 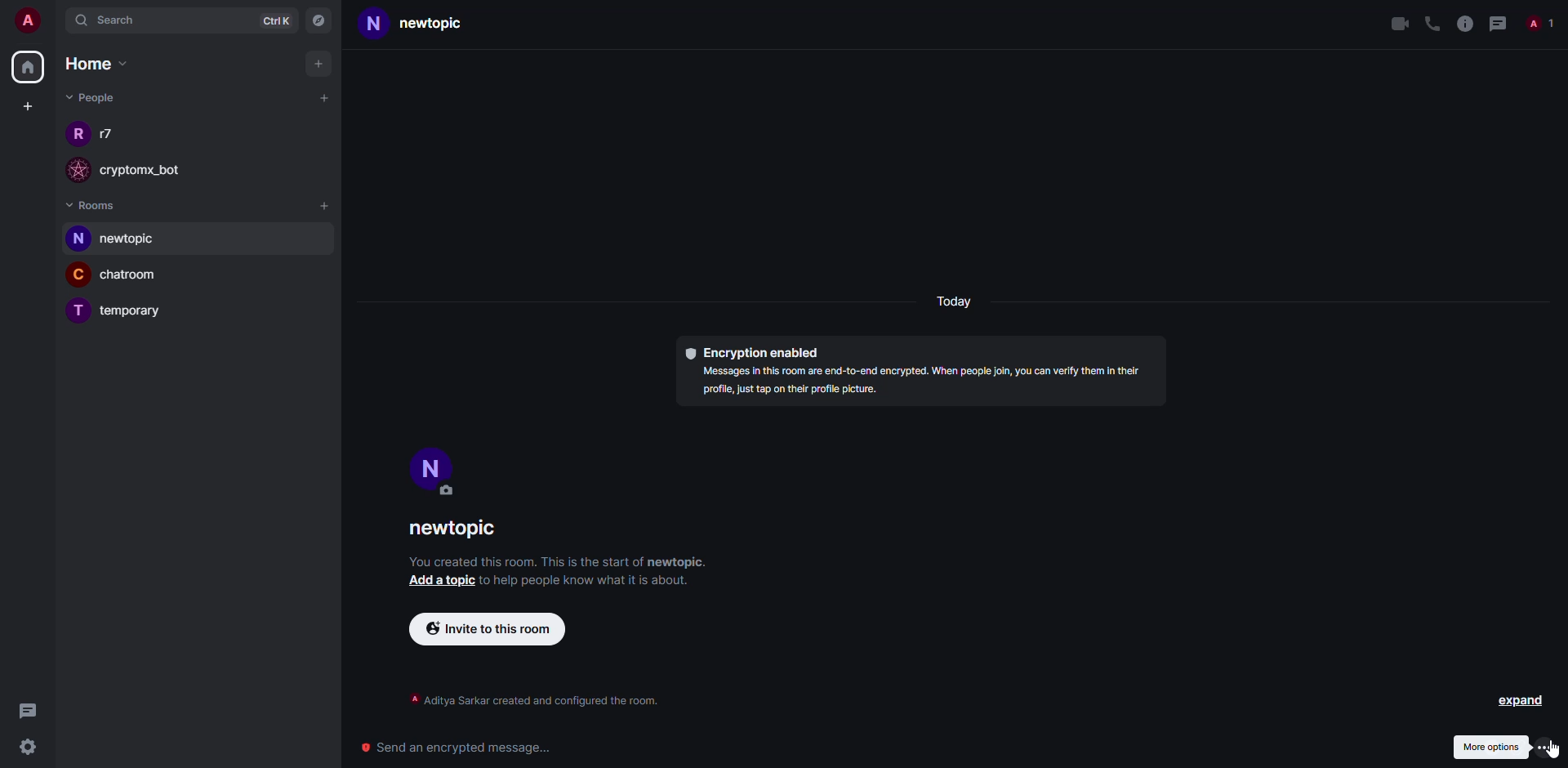 What do you see at coordinates (76, 310) in the screenshot?
I see `T` at bounding box center [76, 310].